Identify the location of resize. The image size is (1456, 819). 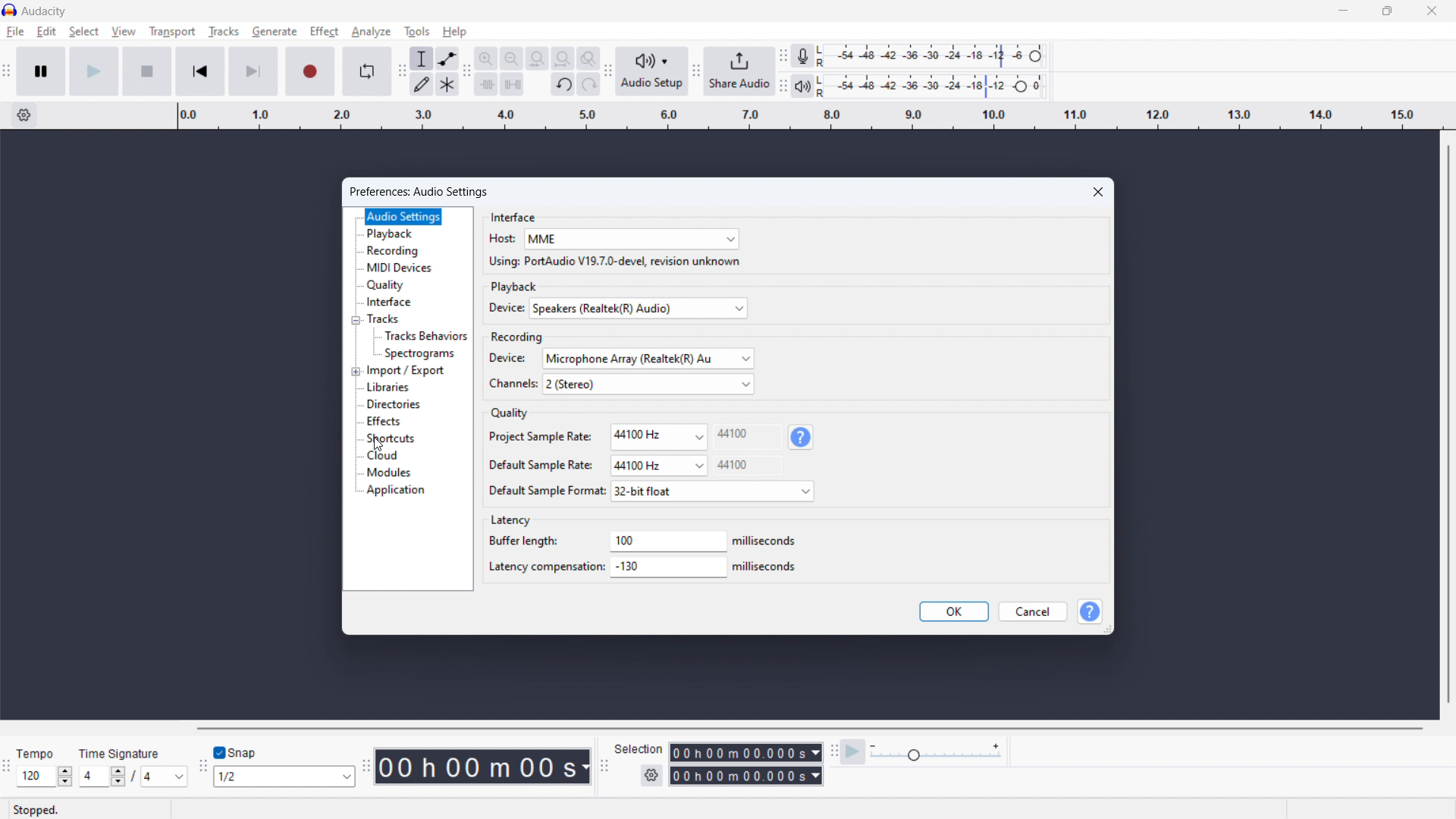
(1108, 630).